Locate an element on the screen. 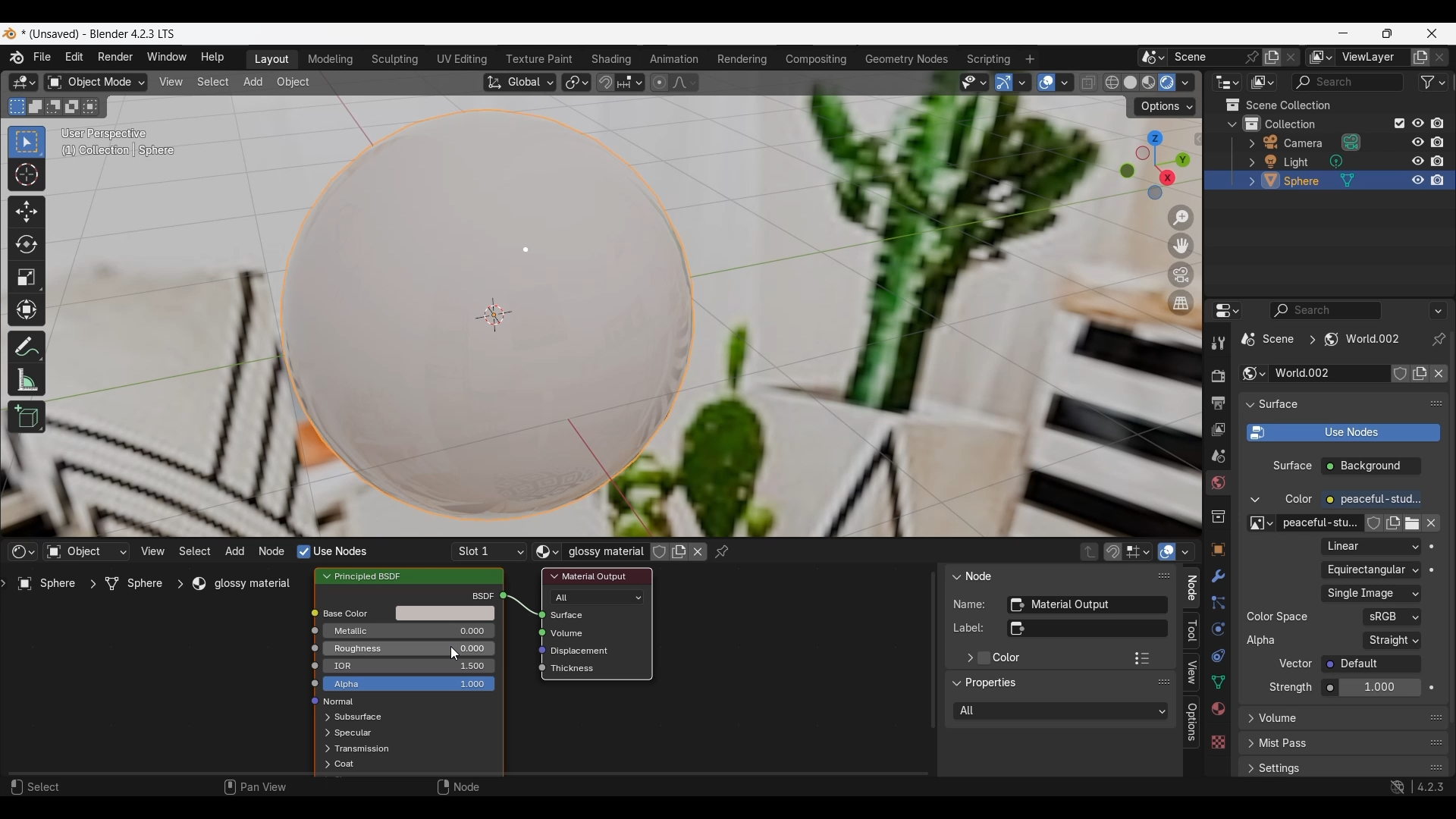 Image resolution: width=1456 pixels, height=819 pixels. Sets the object interaction mode is located at coordinates (96, 82).